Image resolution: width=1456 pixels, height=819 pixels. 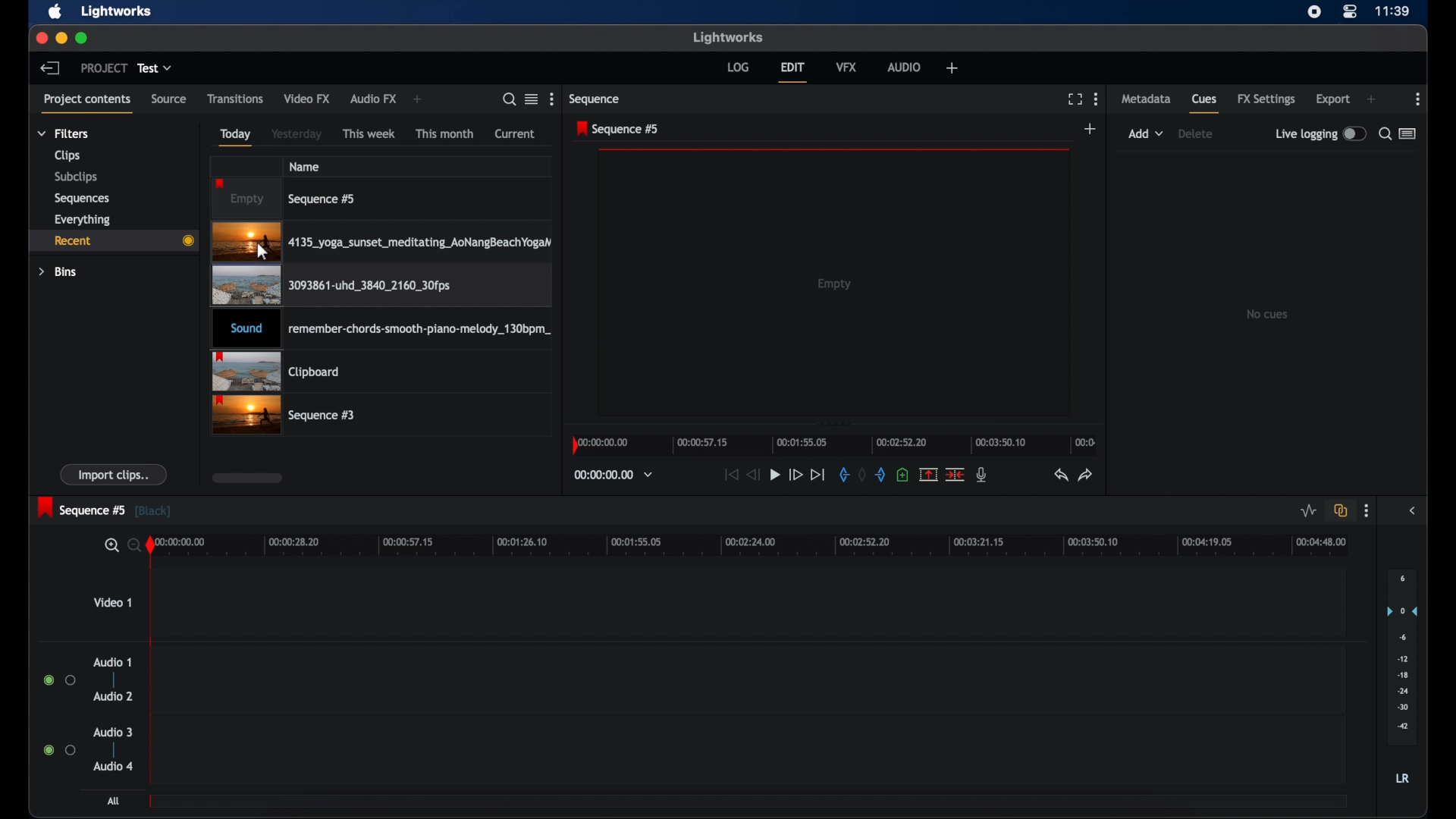 What do you see at coordinates (117, 11) in the screenshot?
I see `lightworks` at bounding box center [117, 11].